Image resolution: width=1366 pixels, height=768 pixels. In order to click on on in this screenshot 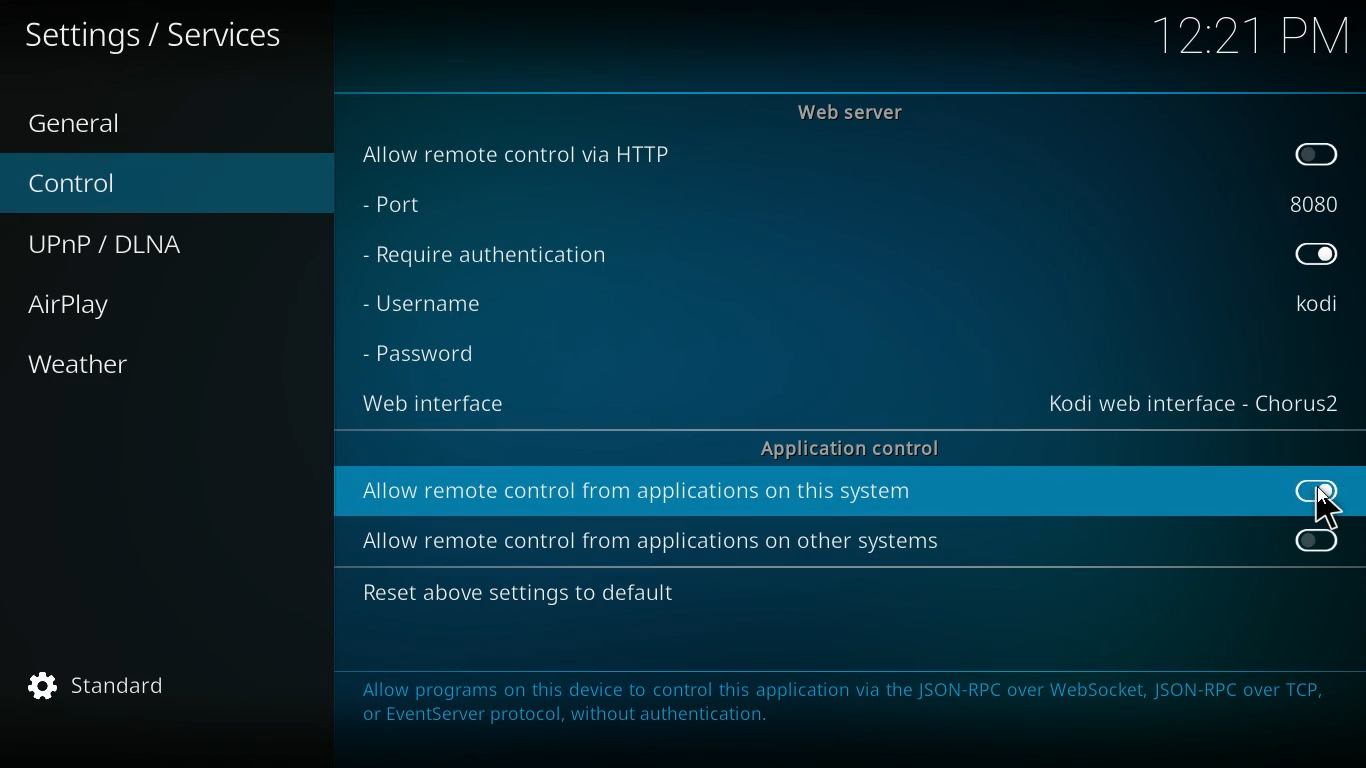, I will do `click(1314, 490)`.